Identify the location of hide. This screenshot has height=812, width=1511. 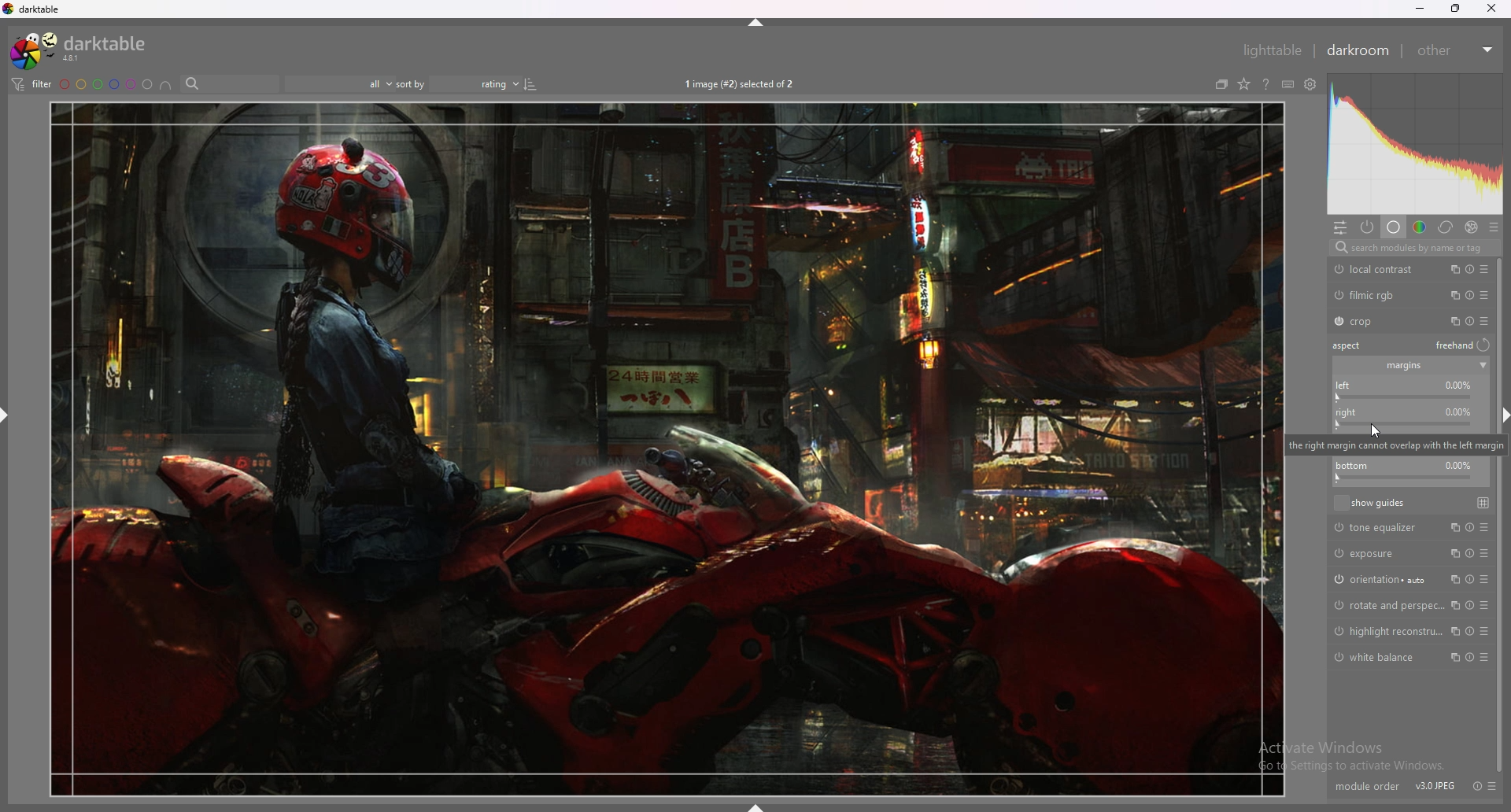
(755, 806).